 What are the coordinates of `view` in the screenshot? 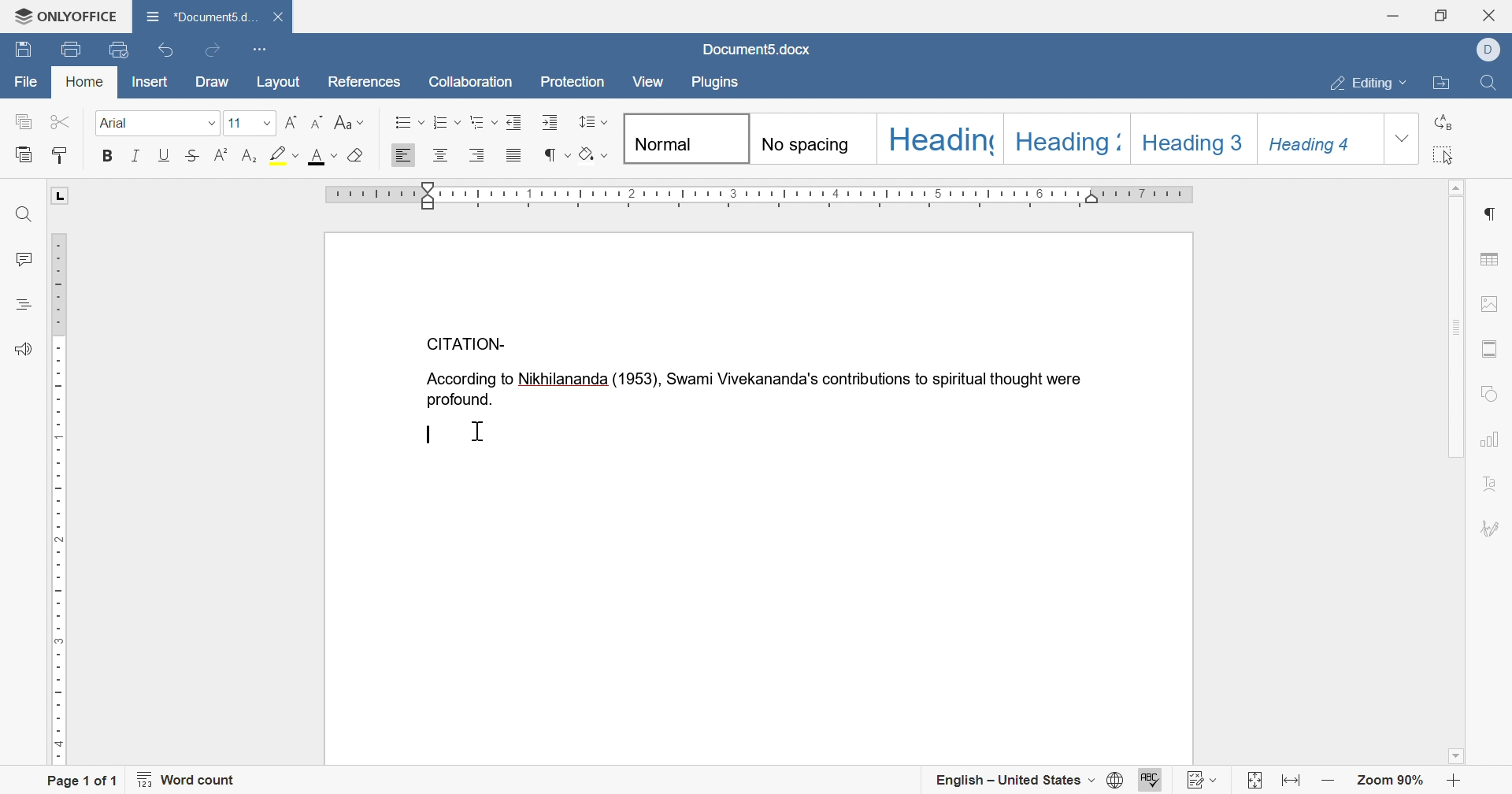 It's located at (646, 80).